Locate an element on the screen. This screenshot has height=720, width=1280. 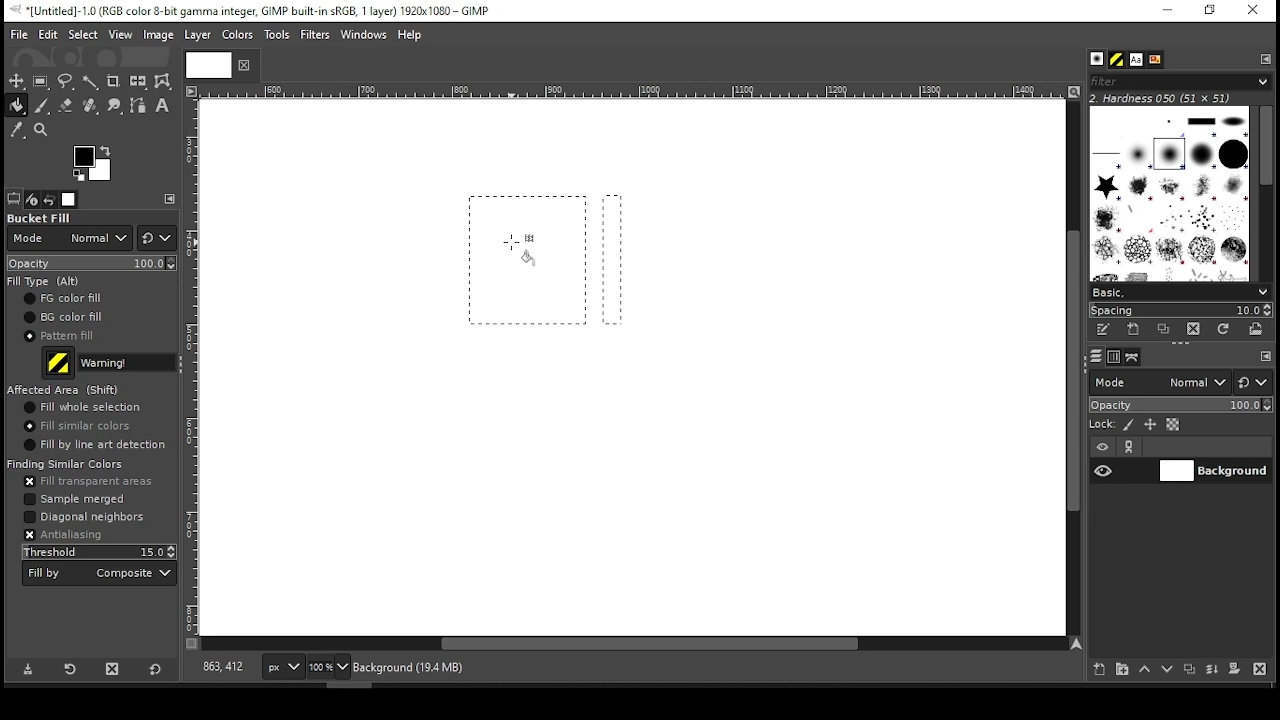
mode is located at coordinates (69, 239).